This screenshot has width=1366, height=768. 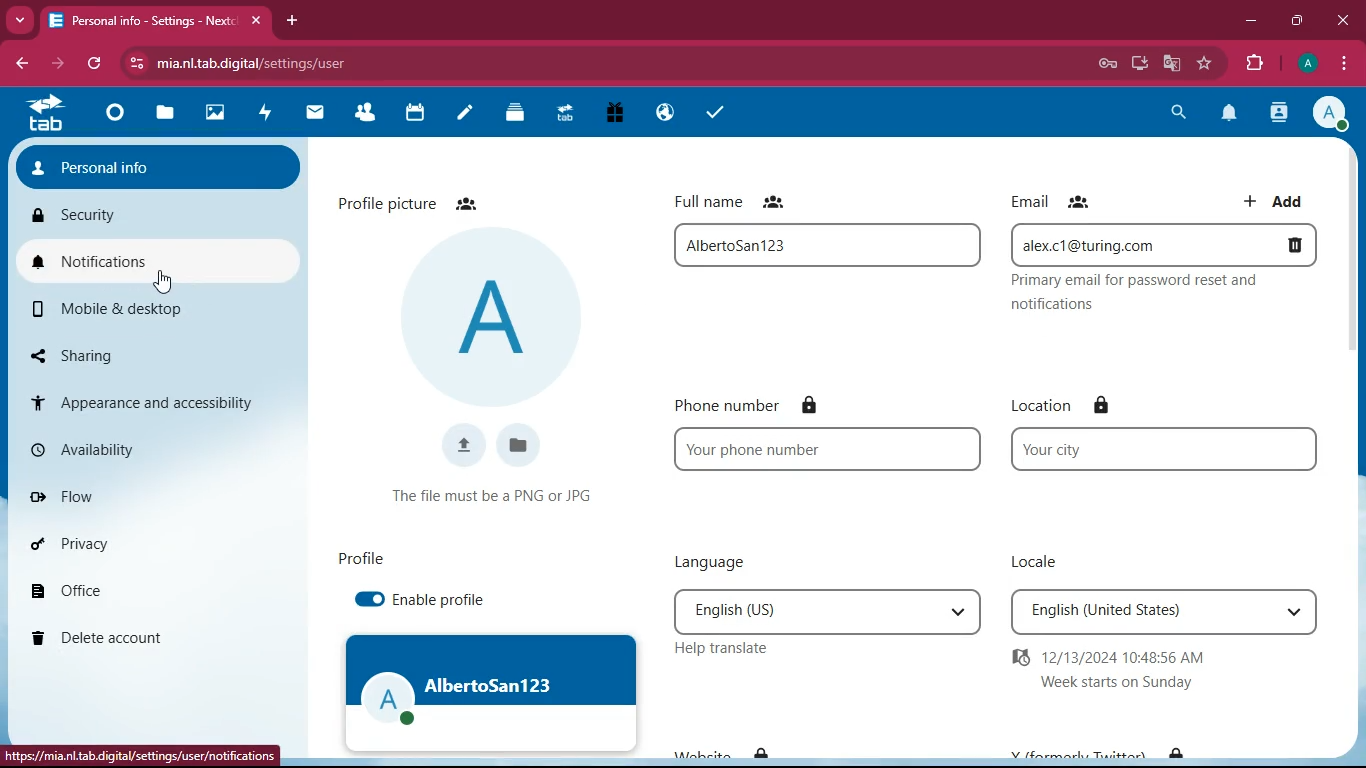 What do you see at coordinates (159, 498) in the screenshot?
I see `flow` at bounding box center [159, 498].